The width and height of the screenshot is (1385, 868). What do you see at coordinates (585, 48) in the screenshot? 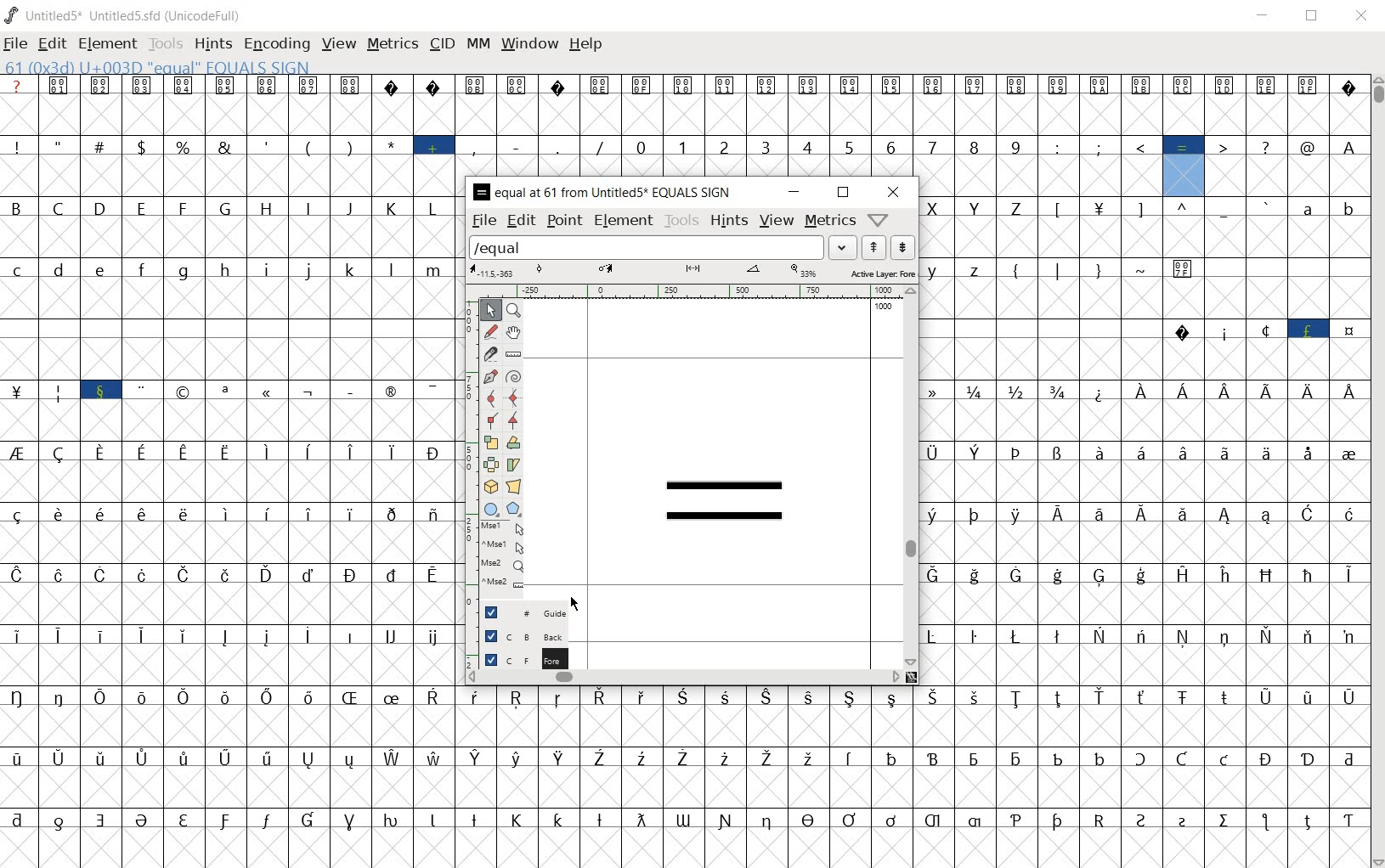
I see `help` at bounding box center [585, 48].